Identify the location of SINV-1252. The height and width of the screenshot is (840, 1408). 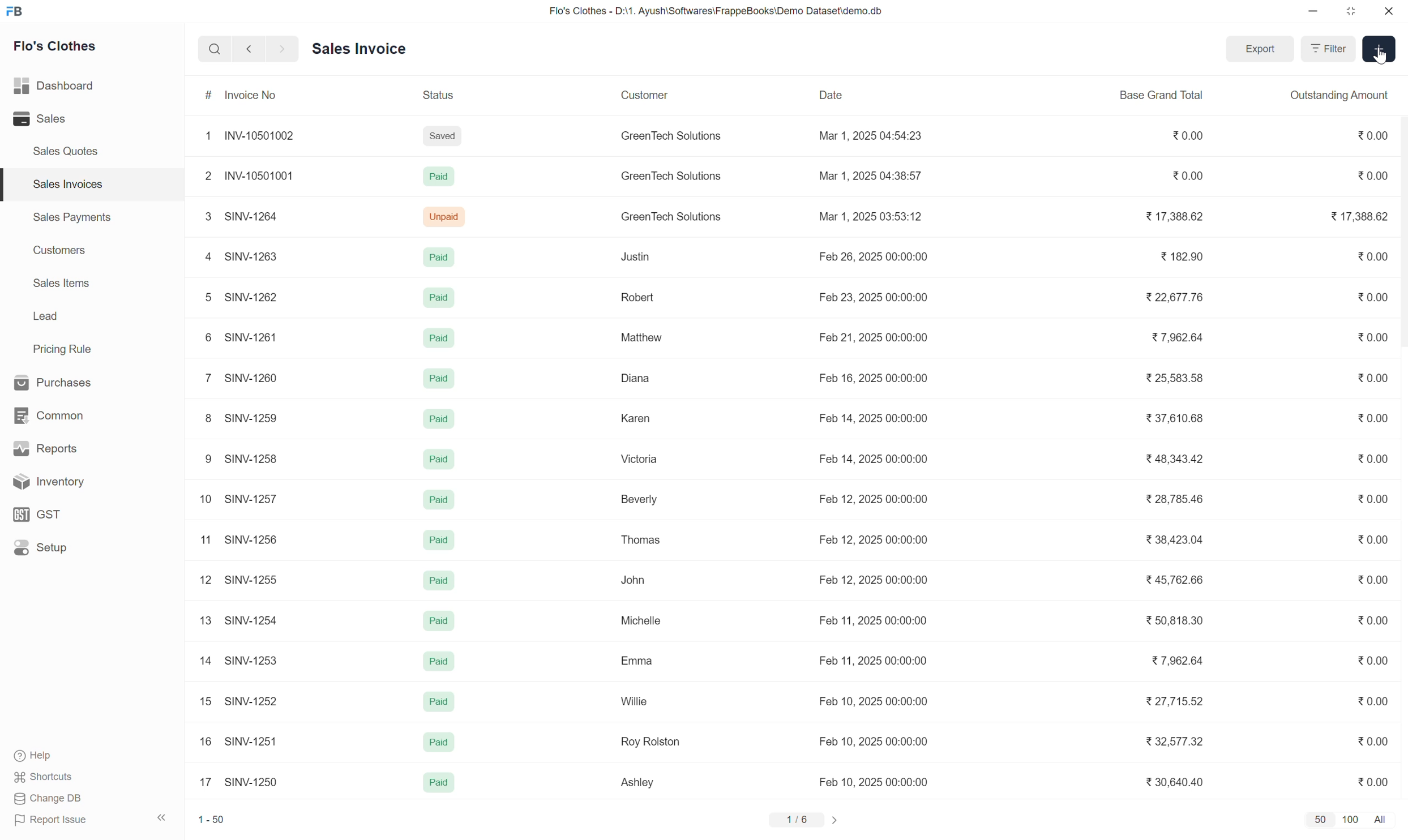
(254, 702).